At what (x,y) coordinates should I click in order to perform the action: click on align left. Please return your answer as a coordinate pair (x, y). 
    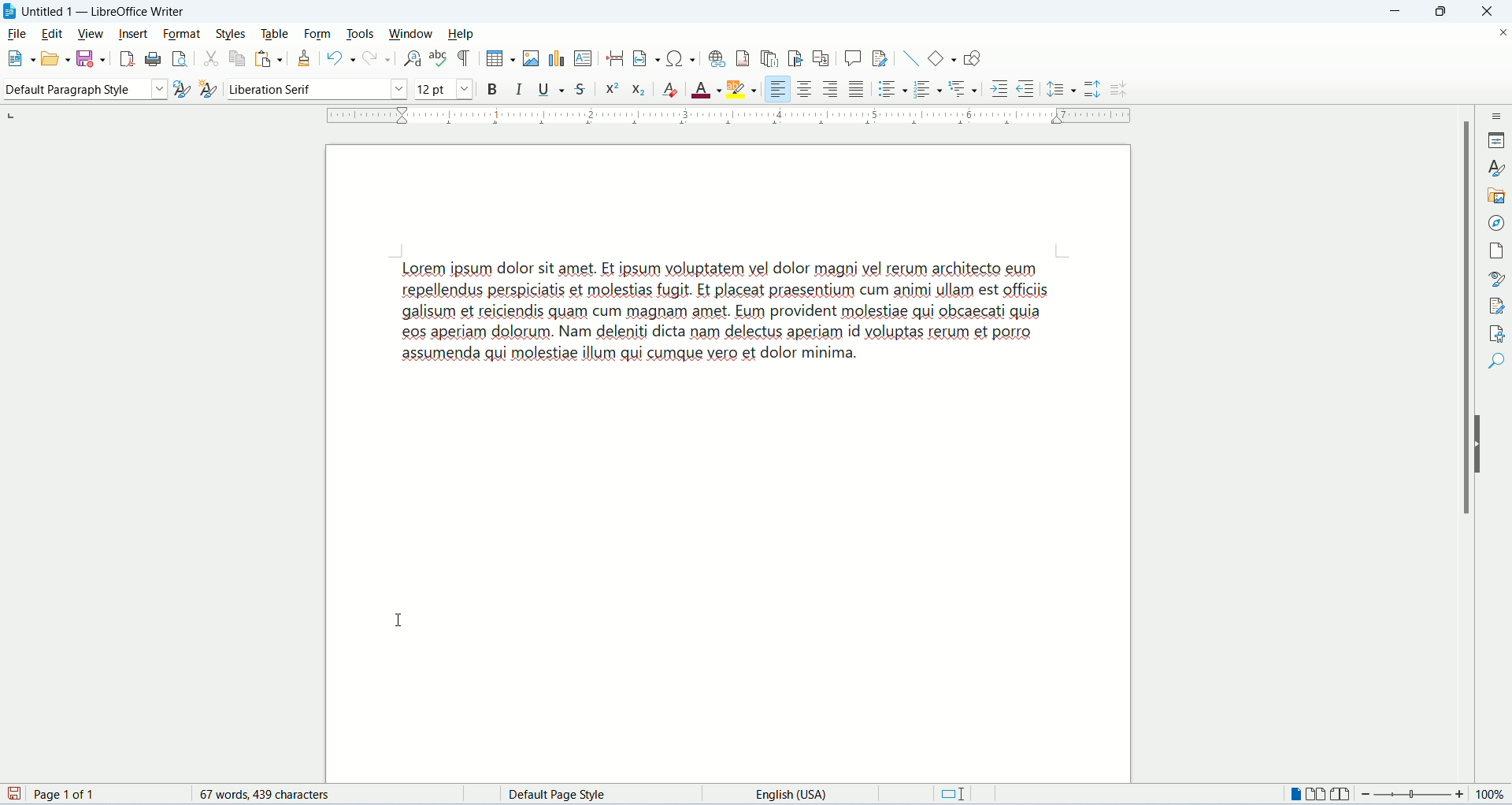
    Looking at the image, I should click on (776, 88).